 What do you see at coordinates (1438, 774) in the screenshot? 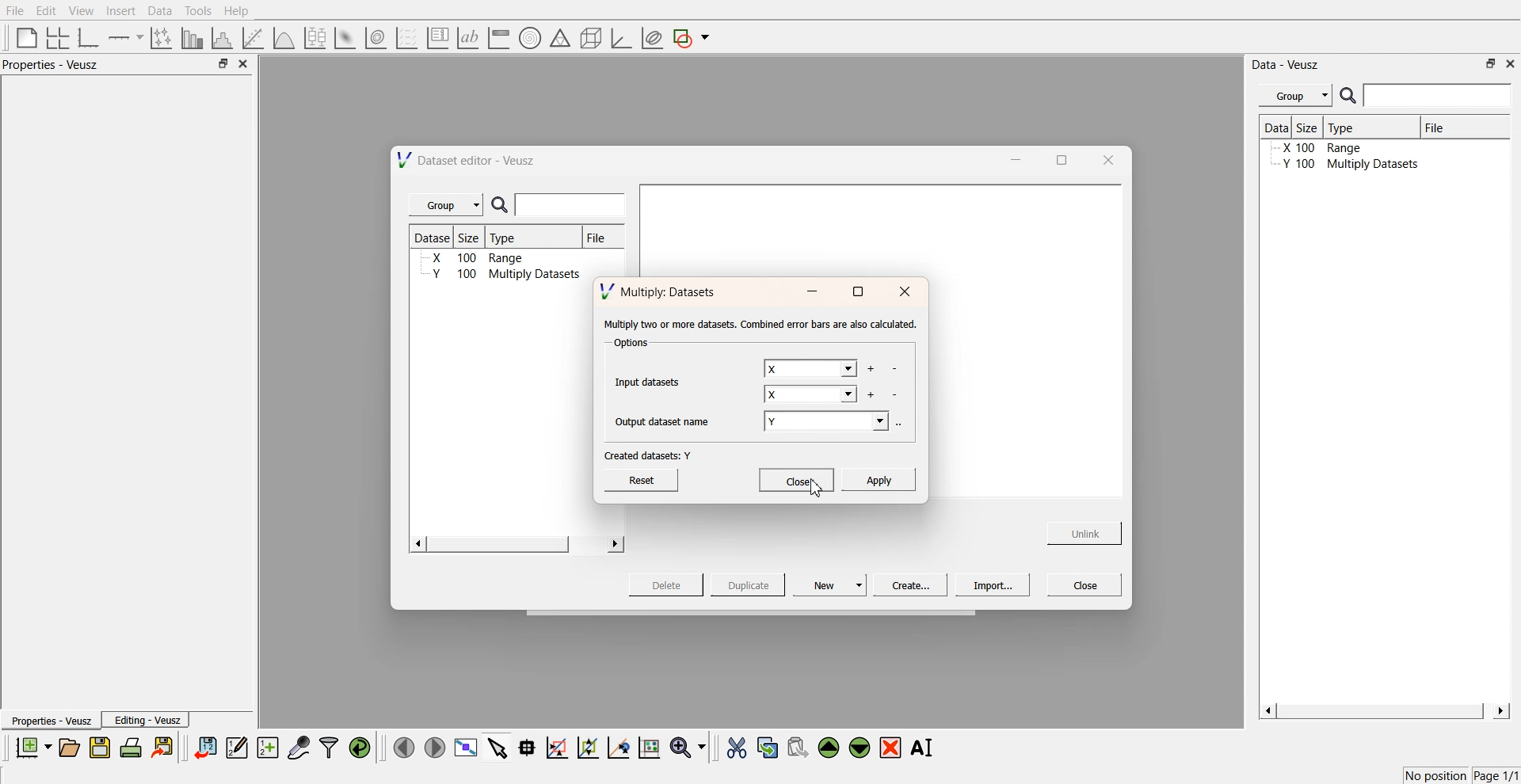
I see `No position` at bounding box center [1438, 774].